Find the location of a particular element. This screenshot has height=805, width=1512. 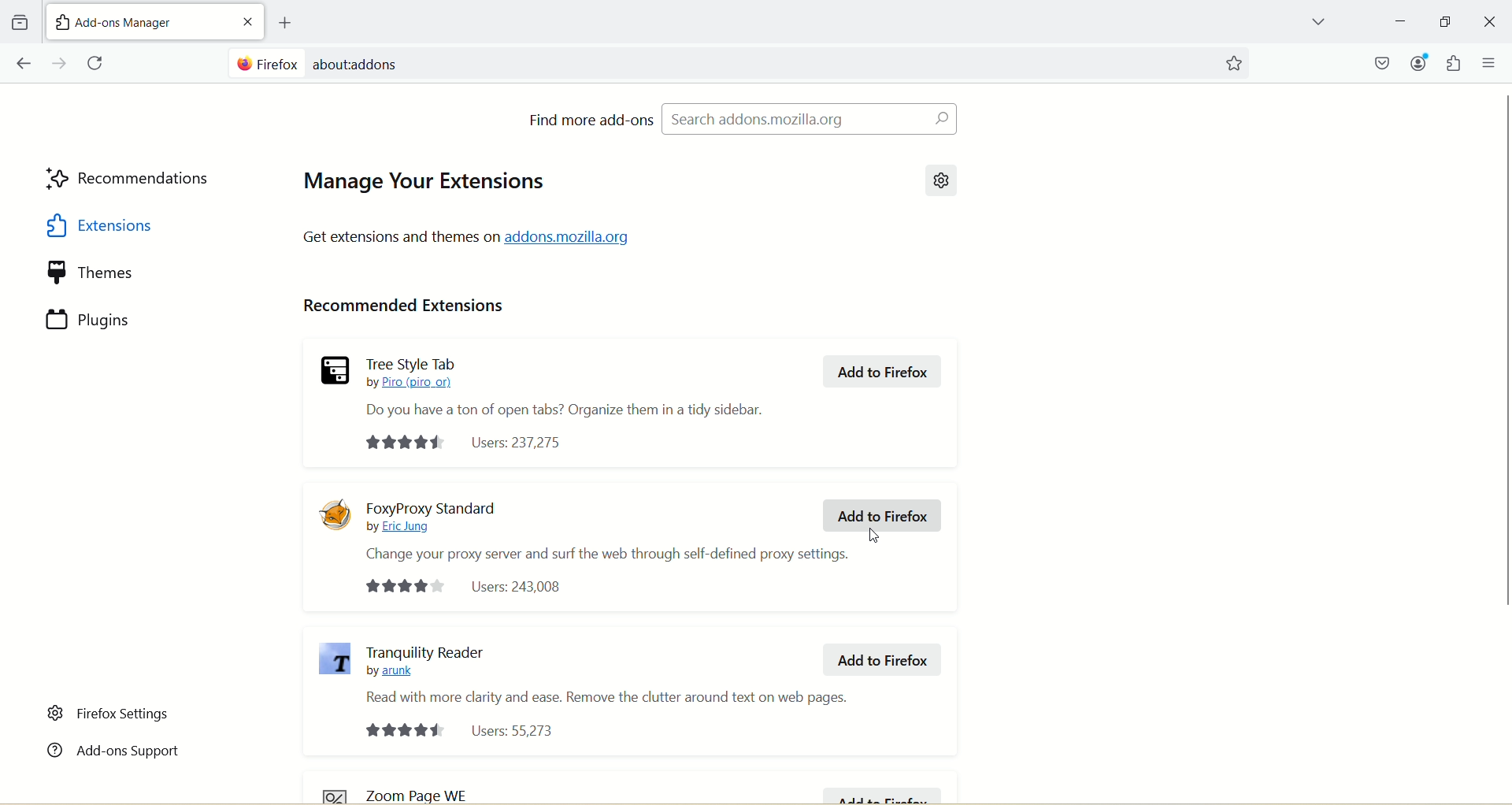

Recommended Extensions is located at coordinates (405, 308).